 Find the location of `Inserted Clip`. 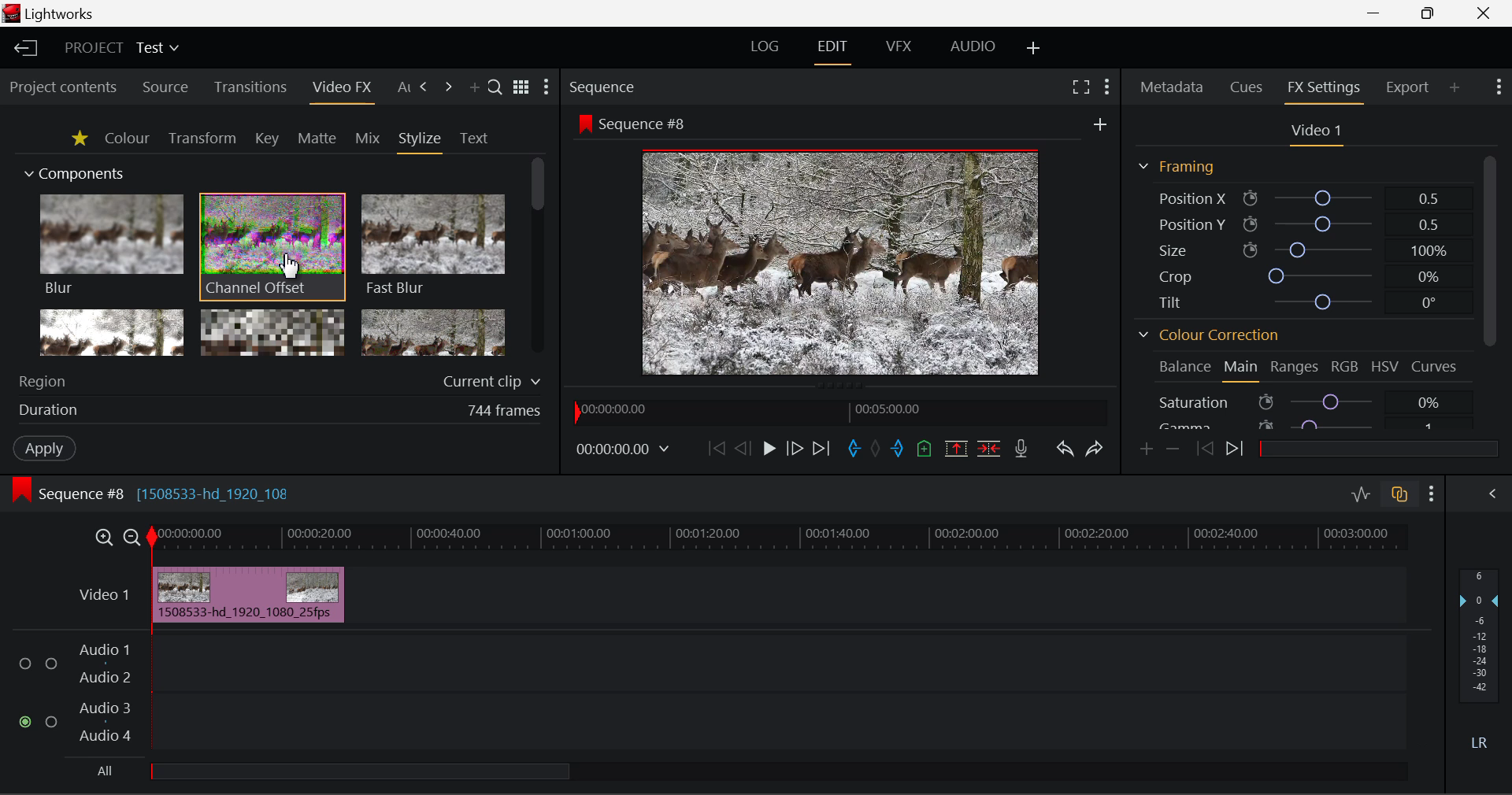

Inserted Clip is located at coordinates (249, 596).